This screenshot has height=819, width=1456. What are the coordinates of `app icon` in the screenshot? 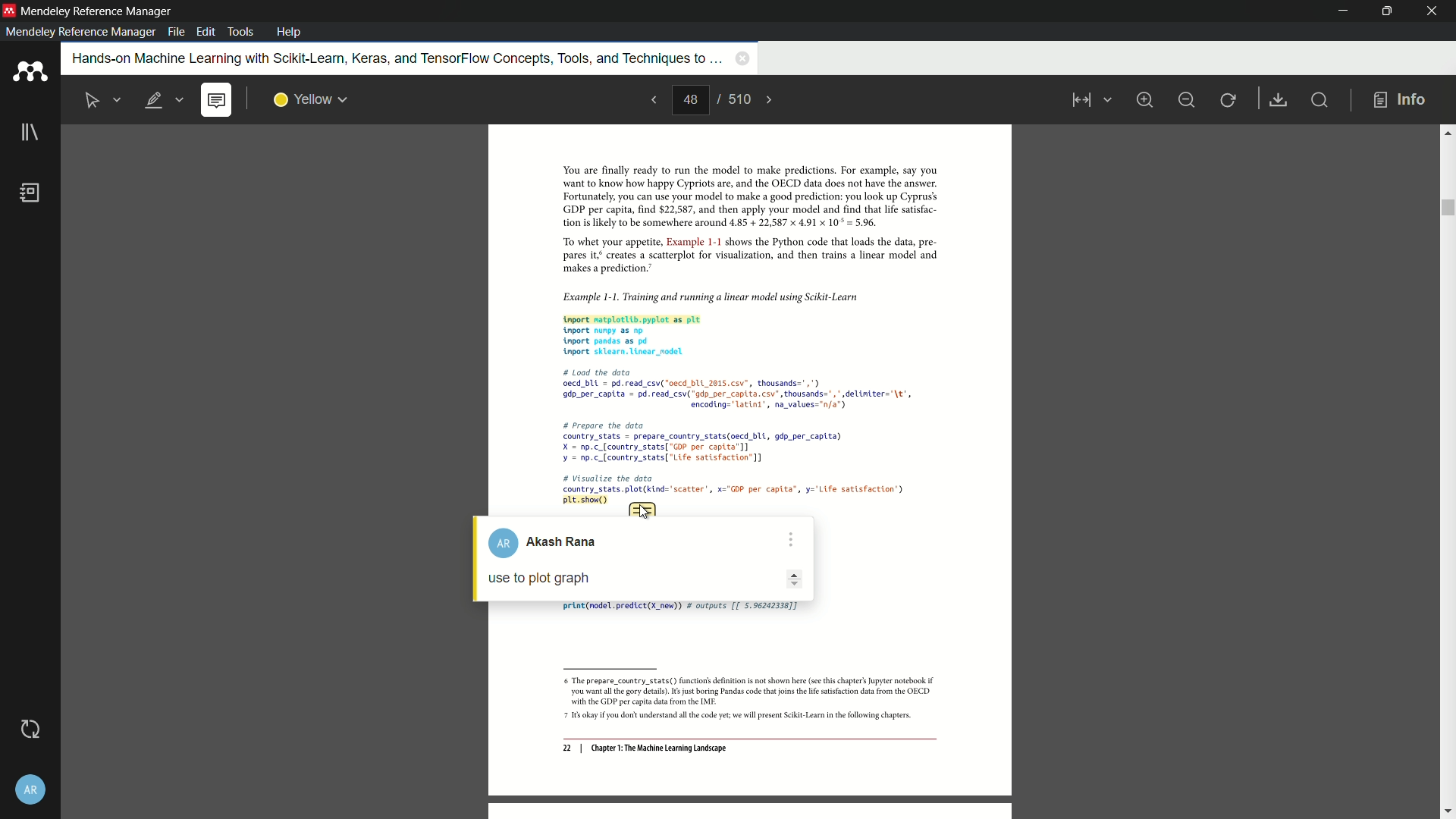 It's located at (30, 72).